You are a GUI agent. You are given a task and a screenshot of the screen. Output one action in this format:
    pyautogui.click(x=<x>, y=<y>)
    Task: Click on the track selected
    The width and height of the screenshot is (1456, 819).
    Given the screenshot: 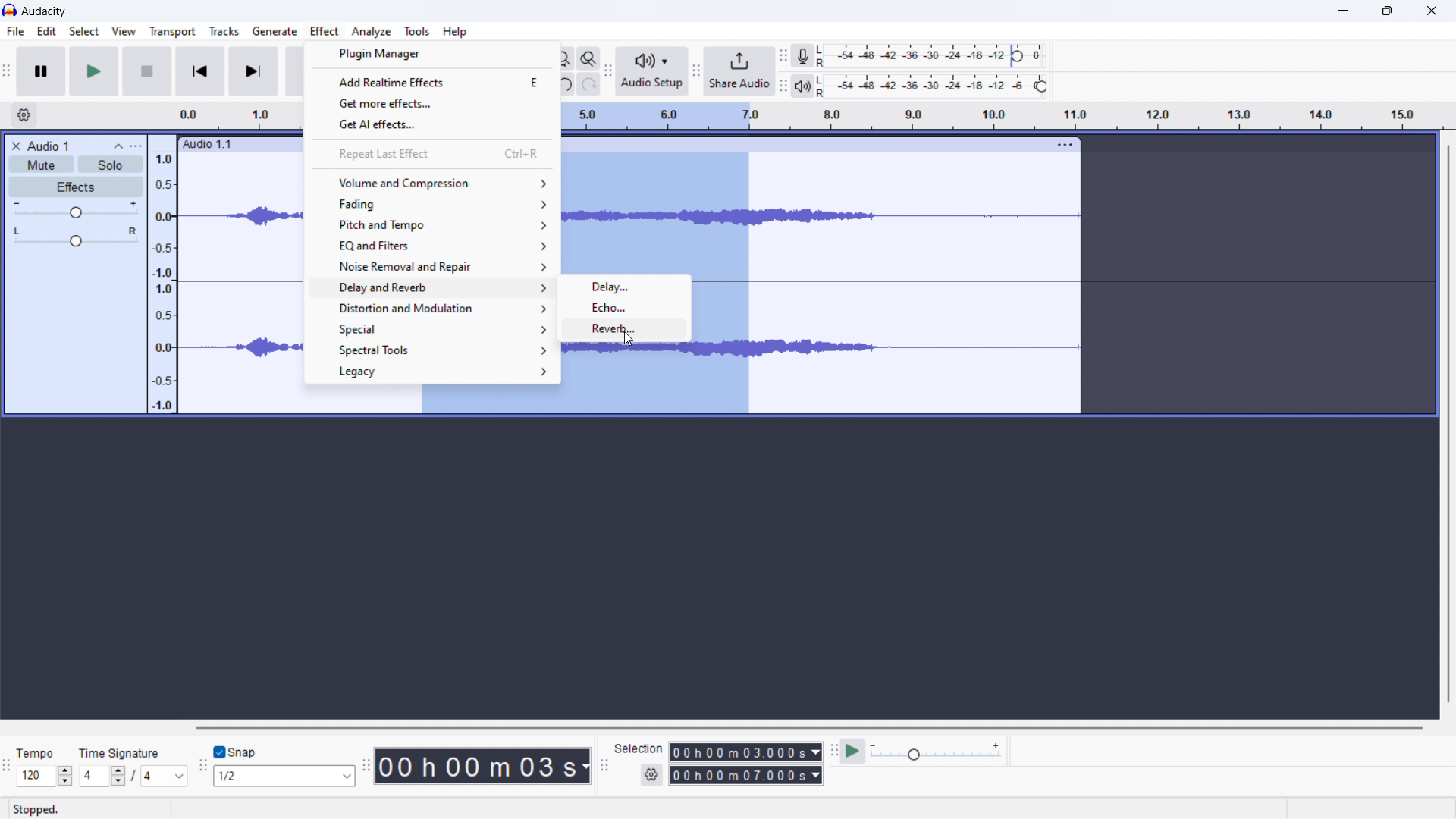 What is the action you would take?
    pyautogui.click(x=918, y=282)
    